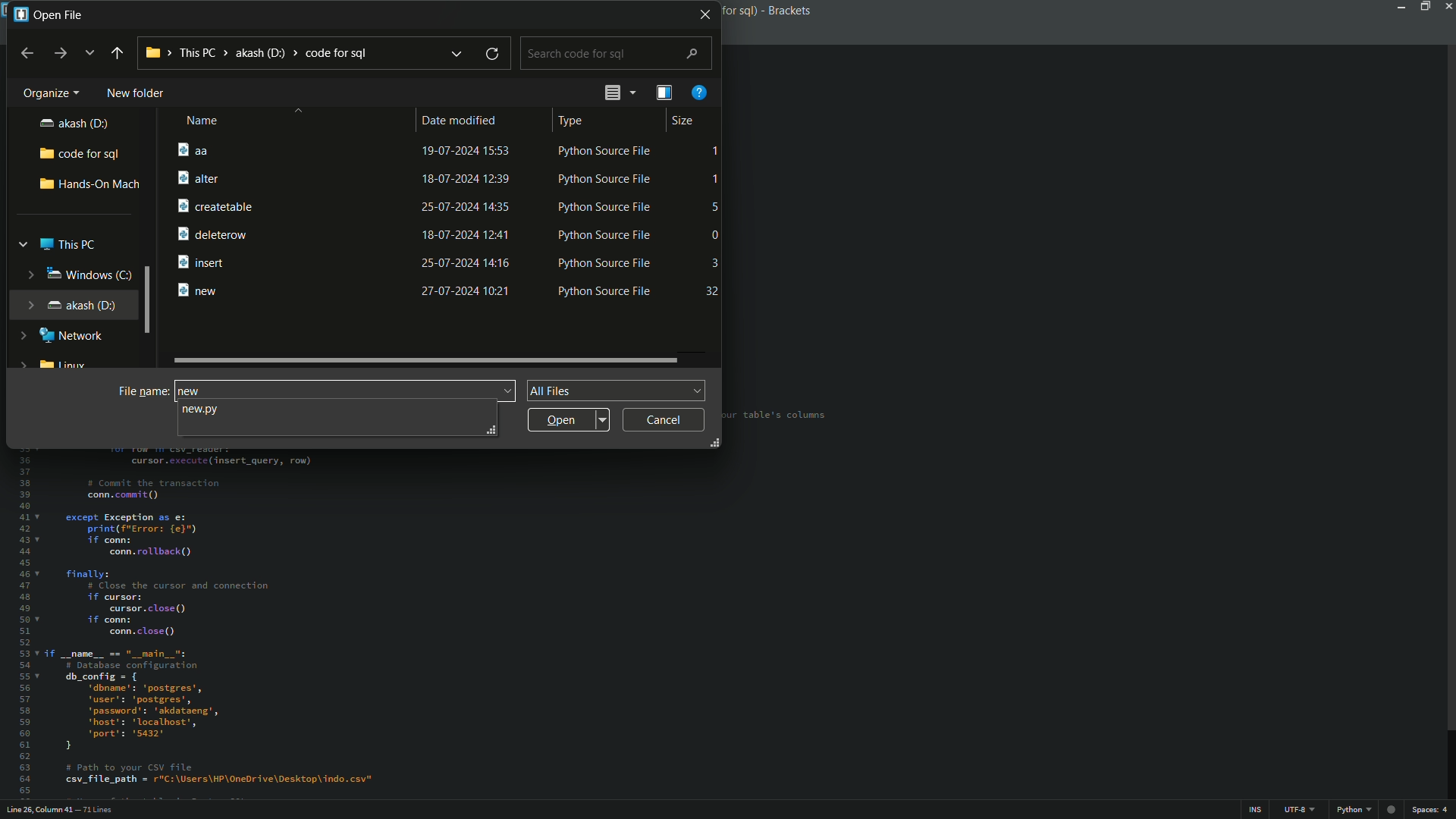 Image resolution: width=1456 pixels, height=819 pixels. What do you see at coordinates (467, 234) in the screenshot?
I see `18-07-2024 12:41` at bounding box center [467, 234].